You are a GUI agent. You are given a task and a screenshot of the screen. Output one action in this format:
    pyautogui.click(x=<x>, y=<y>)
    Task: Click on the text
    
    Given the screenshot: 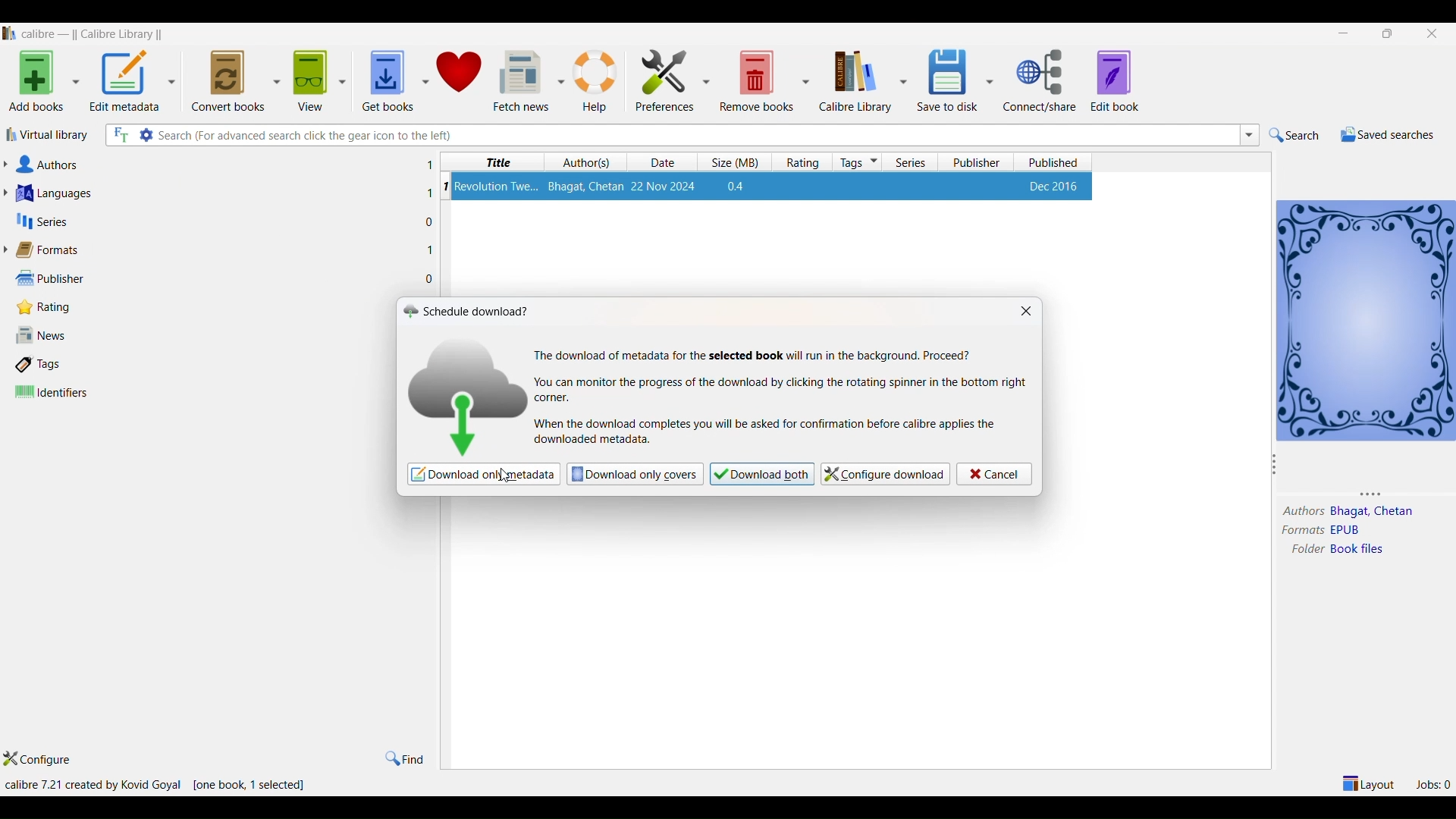 What is the action you would take?
    pyautogui.click(x=764, y=431)
    